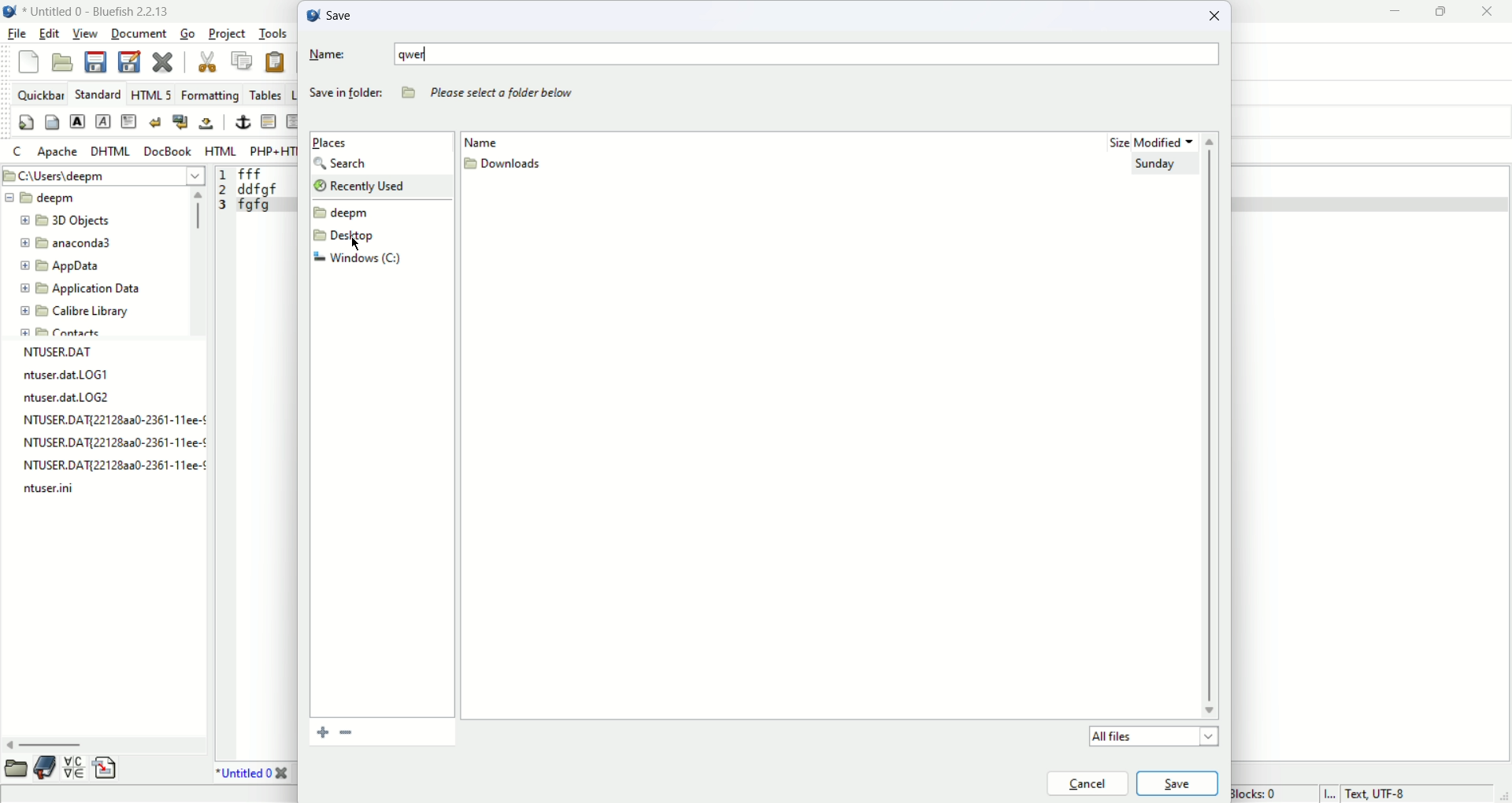 The width and height of the screenshot is (1512, 803). Describe the element at coordinates (111, 468) in the screenshot. I see `file name` at that location.